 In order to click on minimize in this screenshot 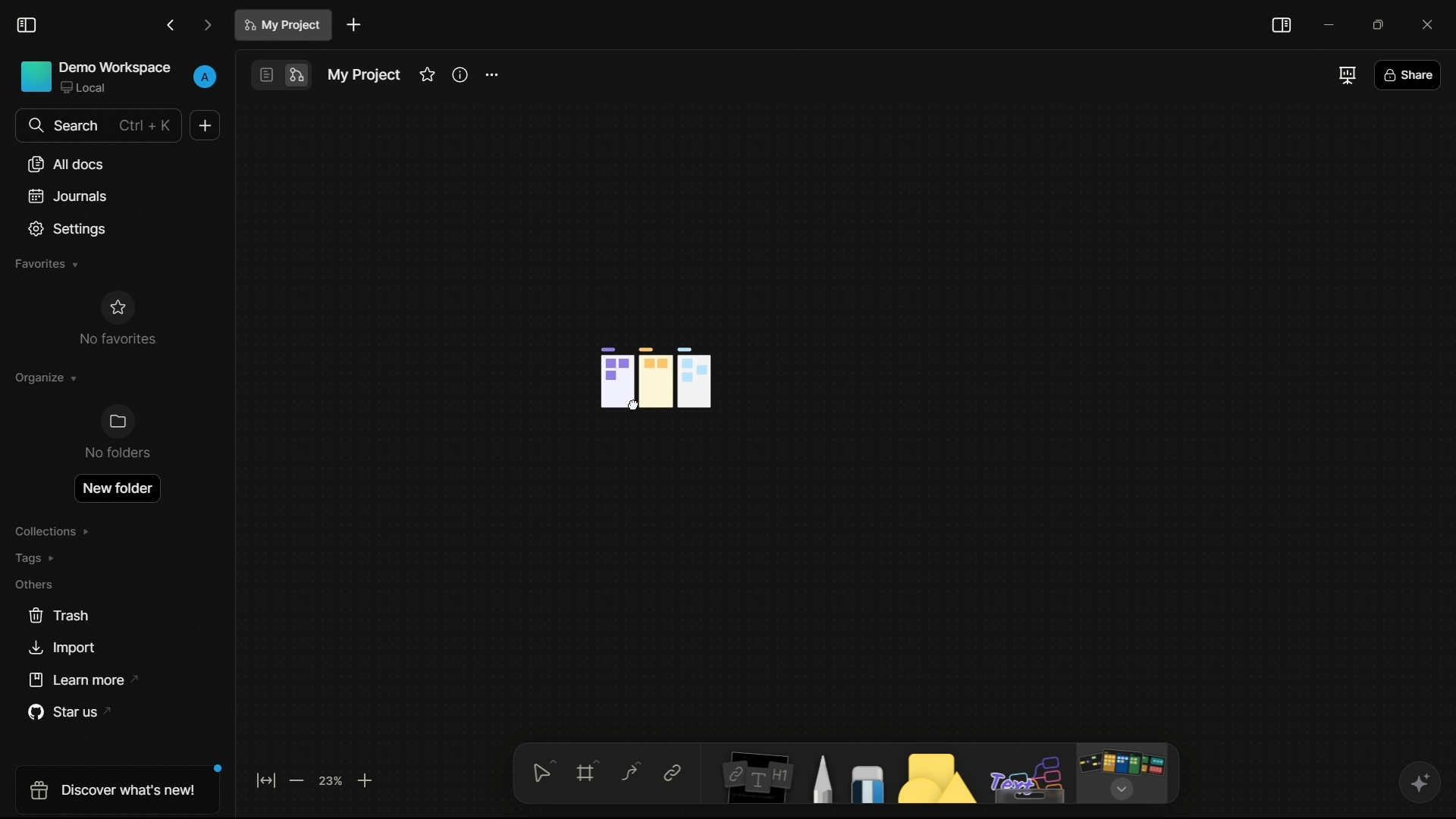, I will do `click(1331, 24)`.